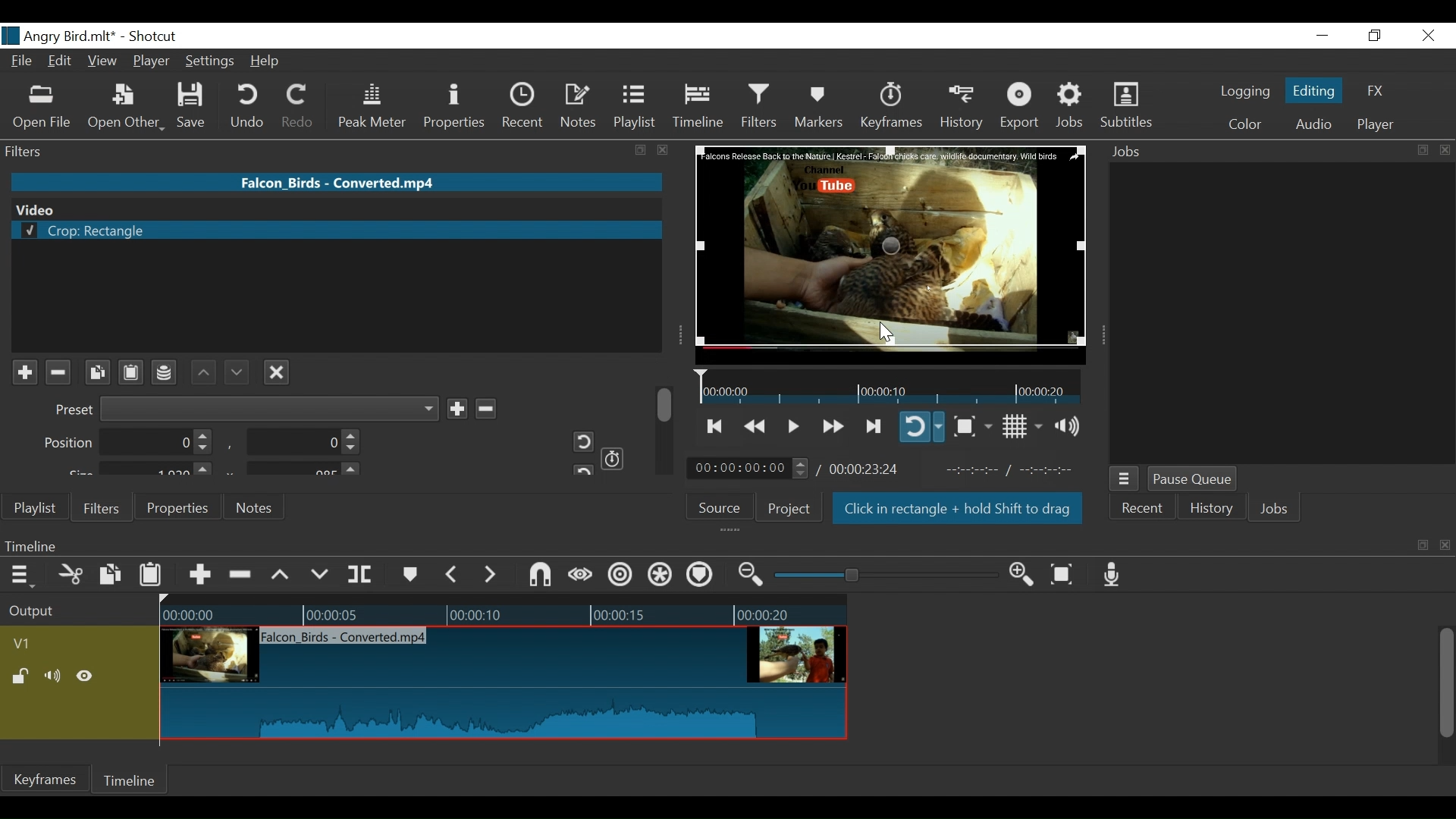  Describe the element at coordinates (131, 780) in the screenshot. I see `Timeline` at that location.